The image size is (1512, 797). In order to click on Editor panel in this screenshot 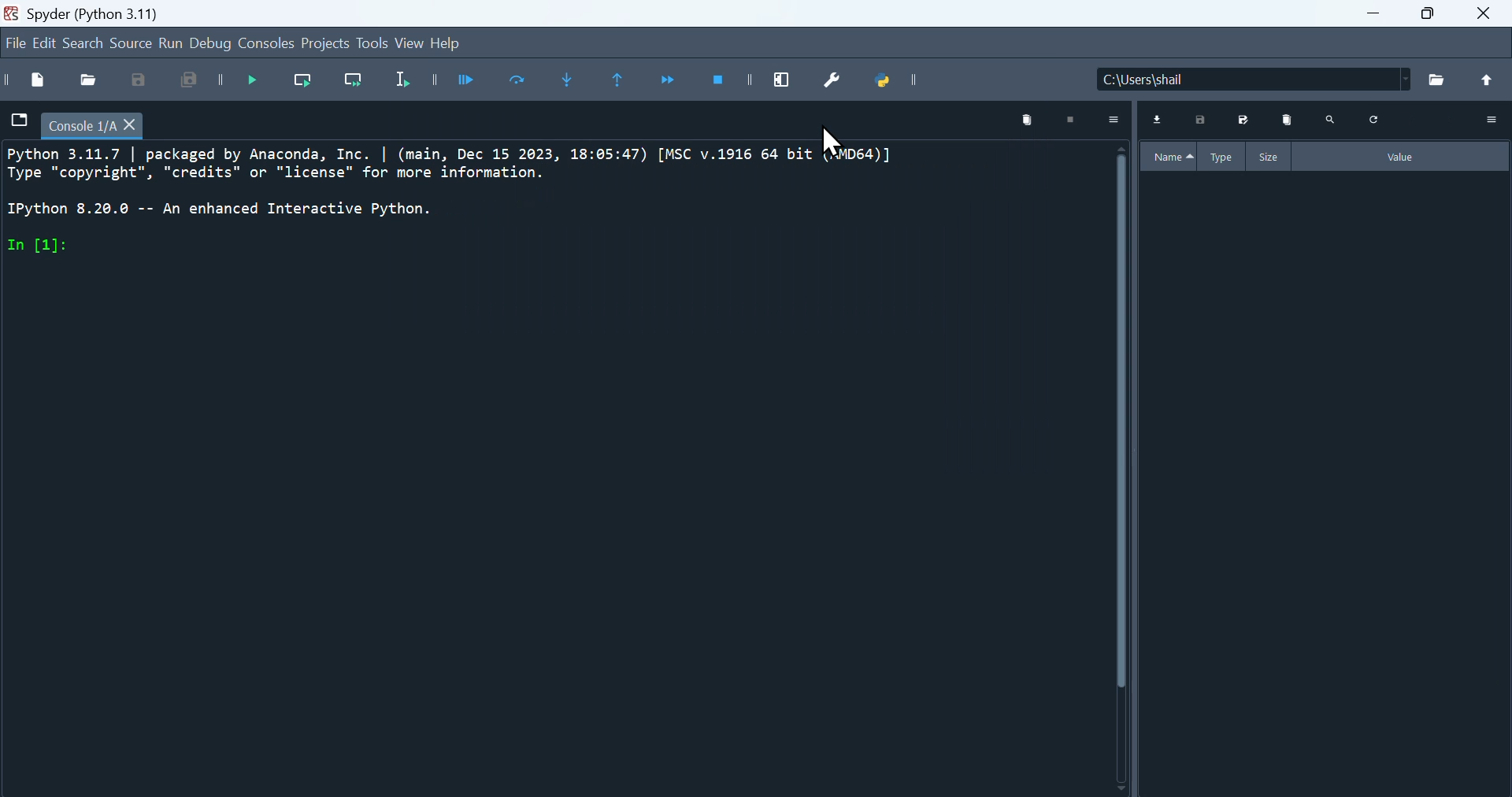, I will do `click(547, 469)`.